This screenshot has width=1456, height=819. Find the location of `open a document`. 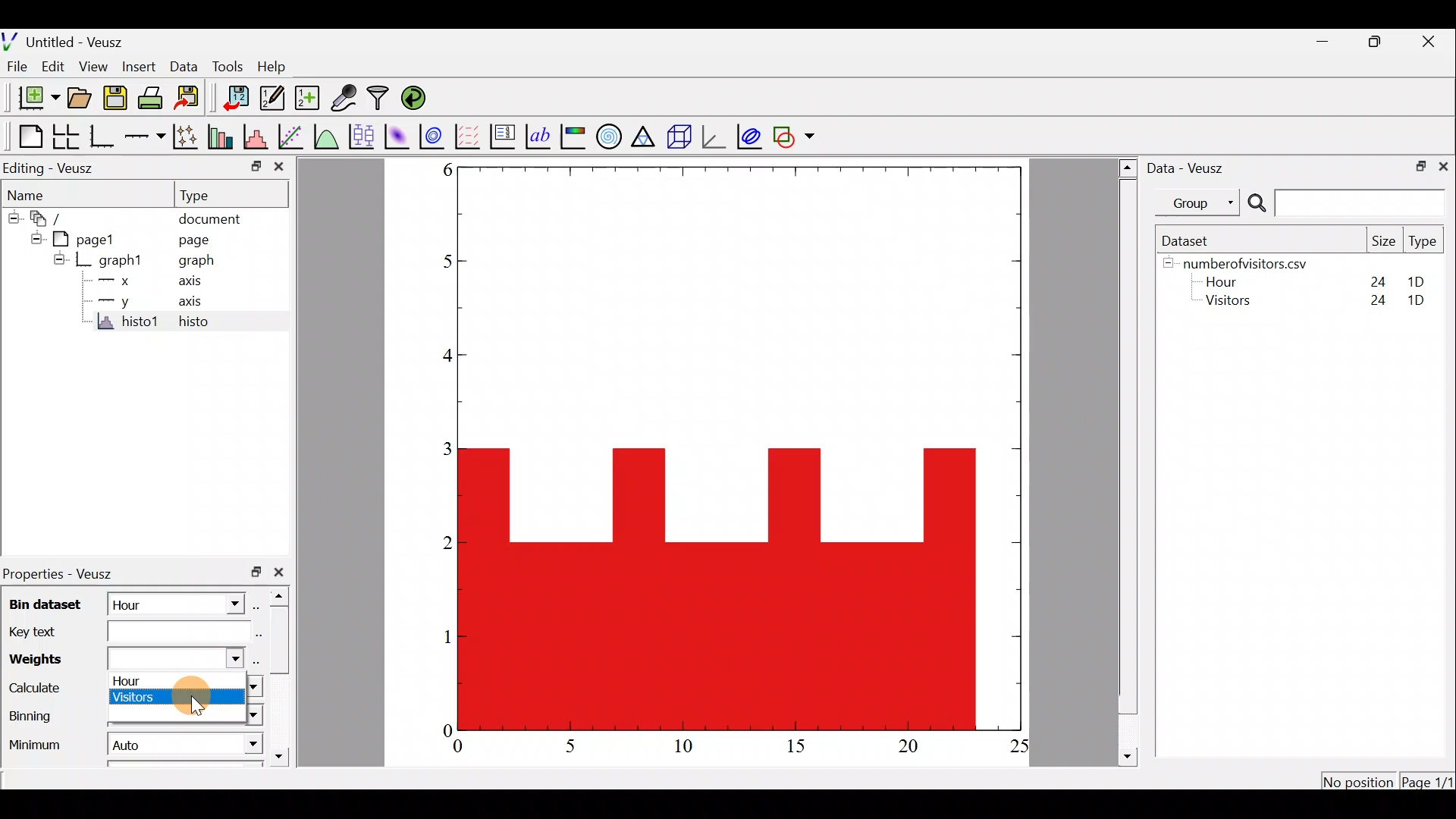

open a document is located at coordinates (78, 98).